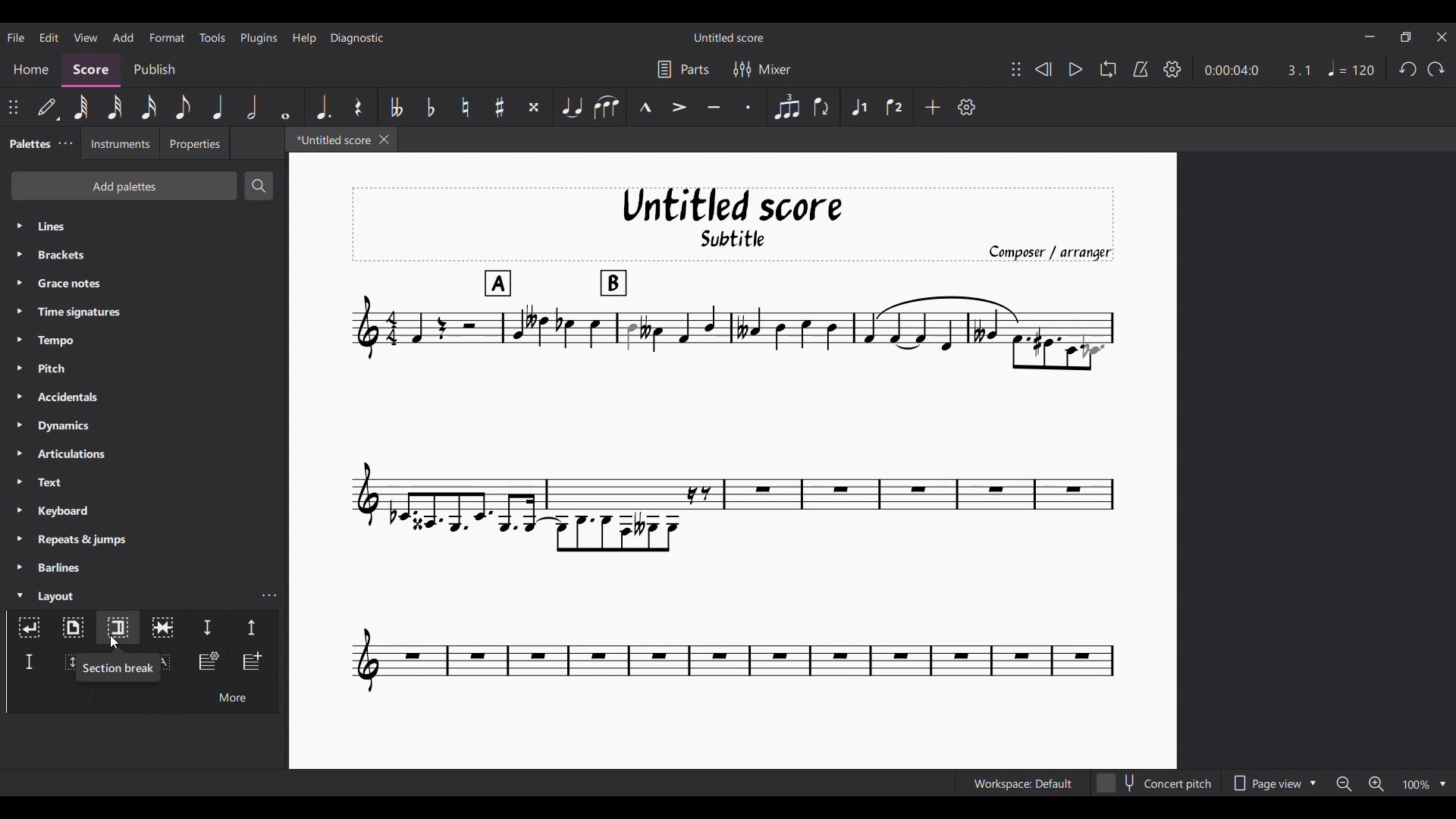 The height and width of the screenshot is (819, 1456). I want to click on Insert staff type change, so click(207, 661).